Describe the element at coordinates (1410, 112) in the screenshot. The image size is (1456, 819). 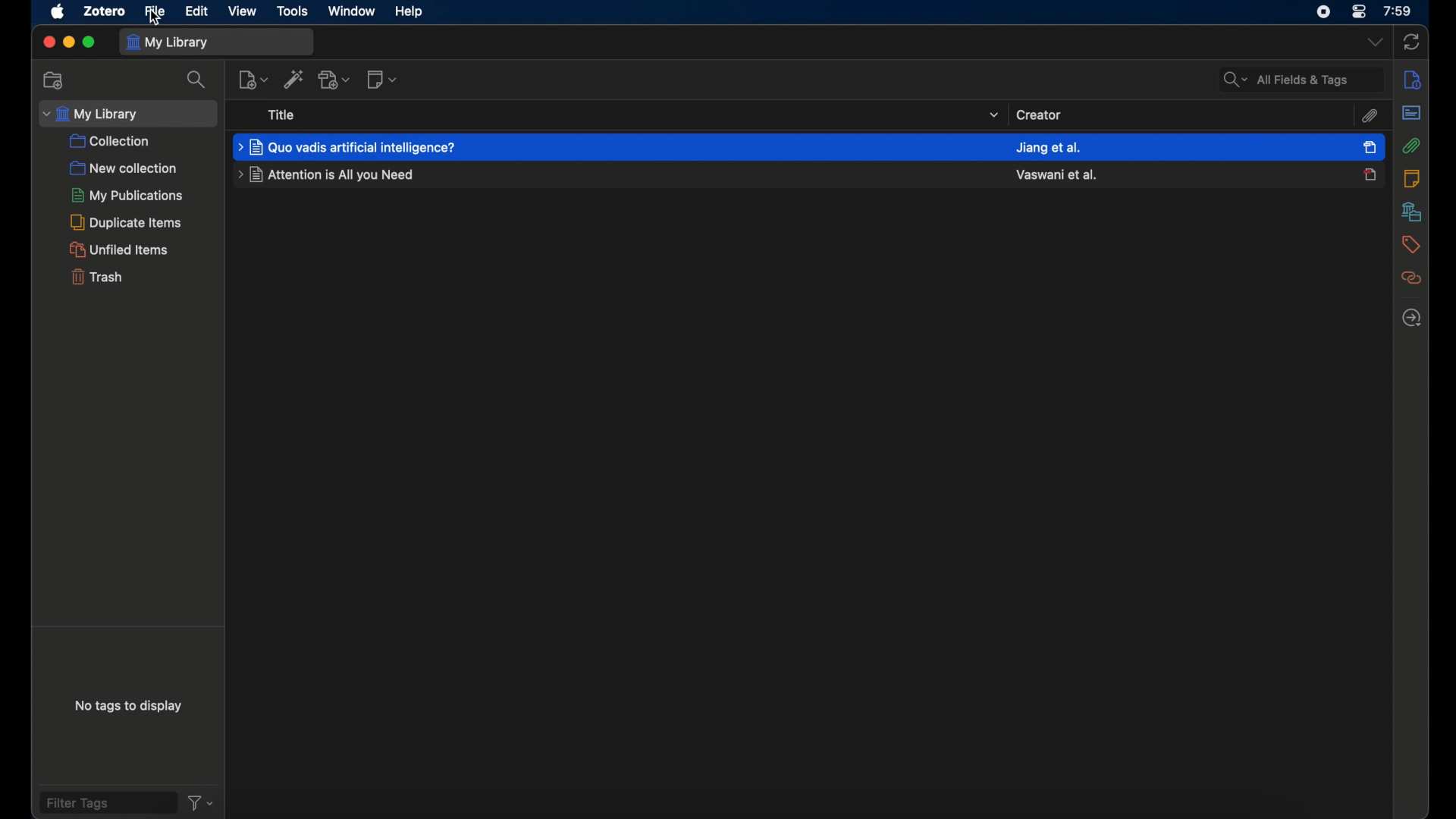
I see `abstract` at that location.